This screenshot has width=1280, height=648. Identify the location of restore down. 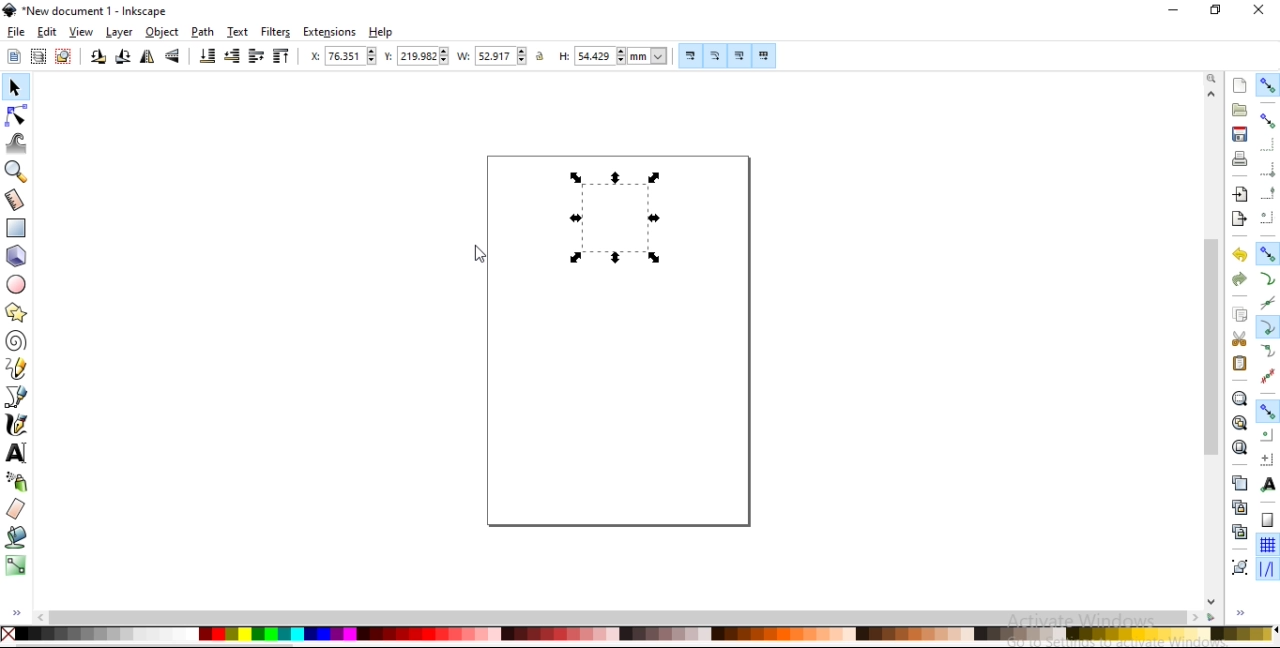
(1216, 10).